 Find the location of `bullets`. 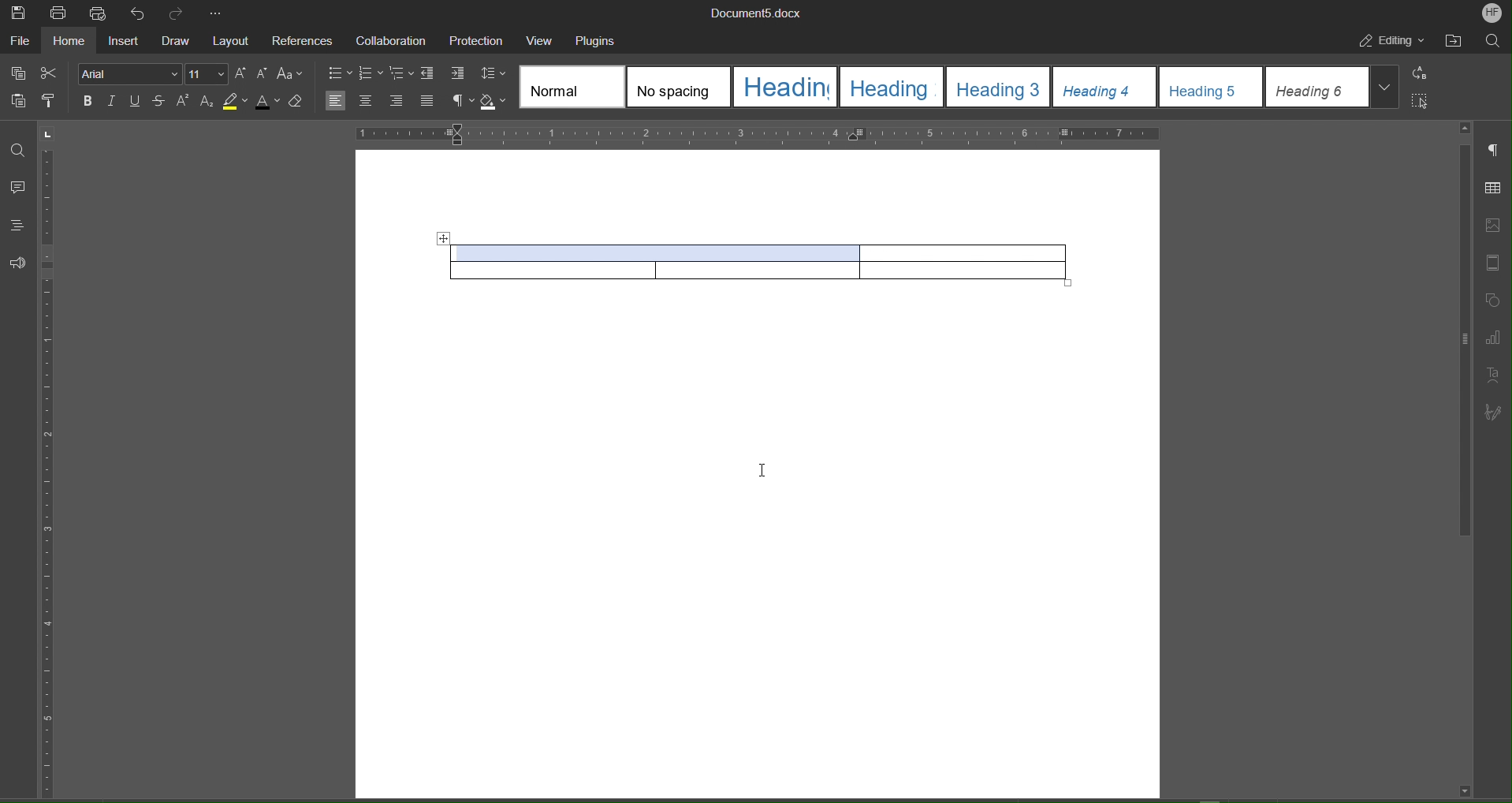

bullets is located at coordinates (339, 75).